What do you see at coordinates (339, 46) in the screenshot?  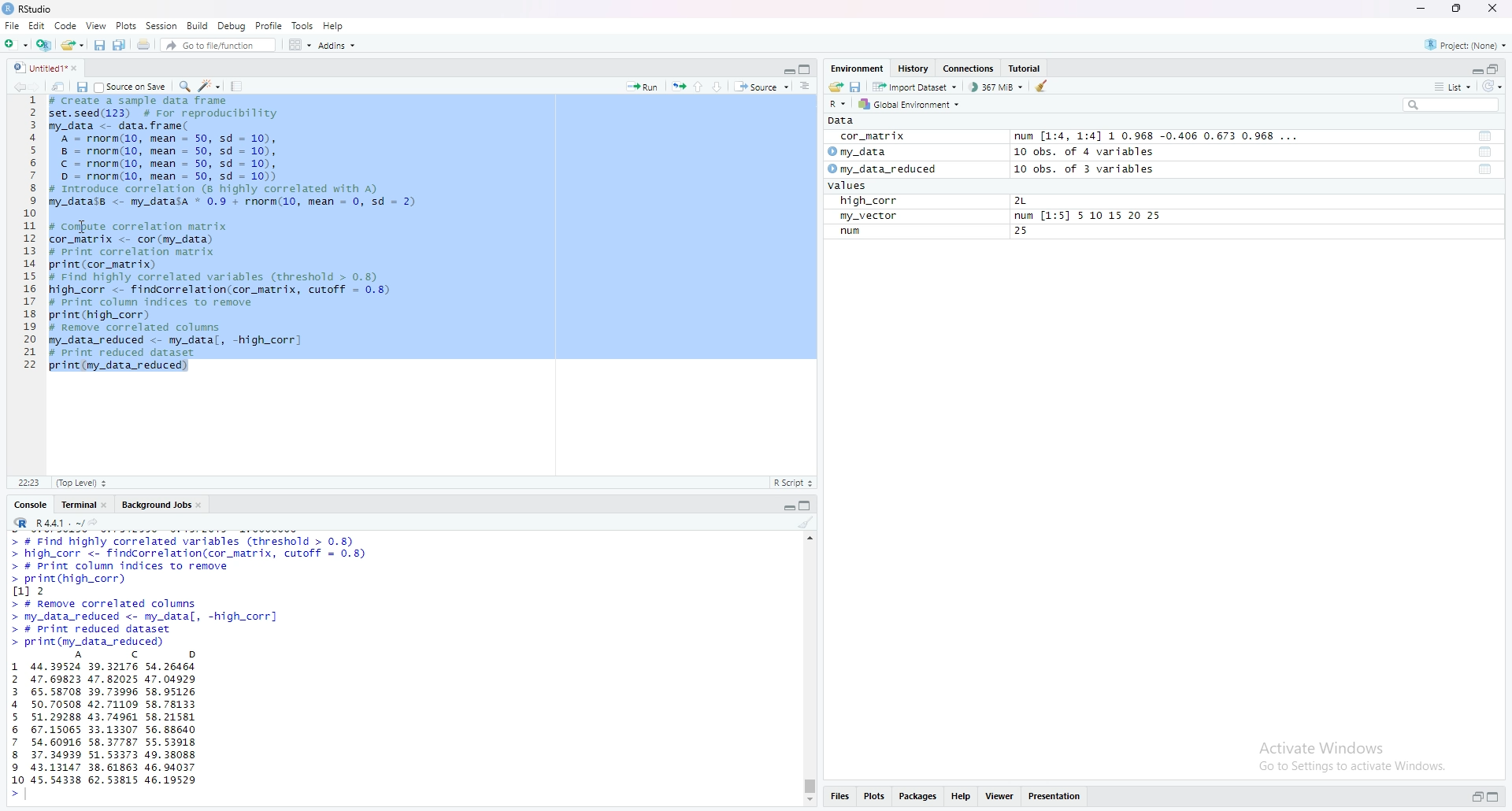 I see `Addins` at bounding box center [339, 46].